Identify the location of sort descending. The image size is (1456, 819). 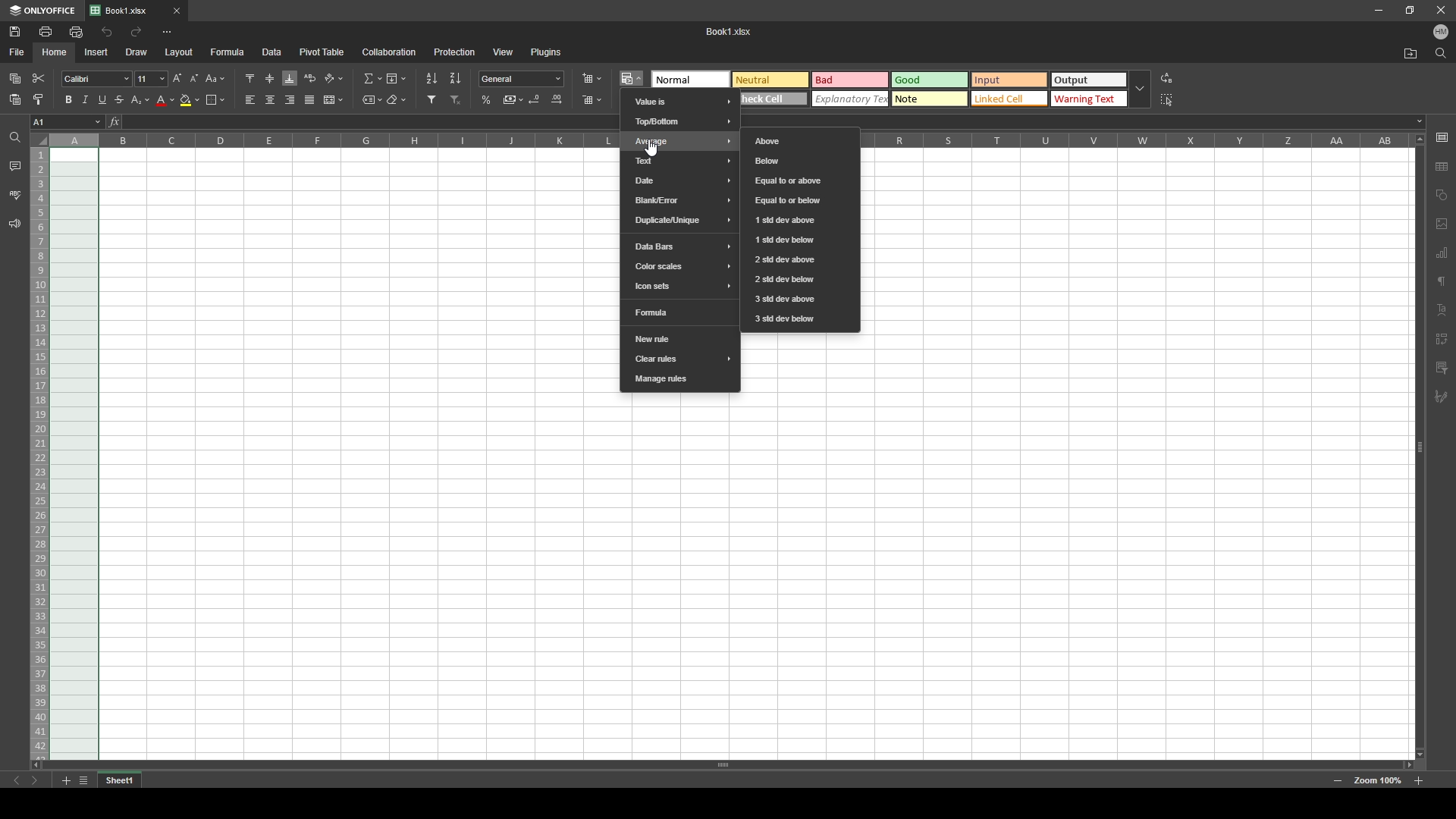
(456, 77).